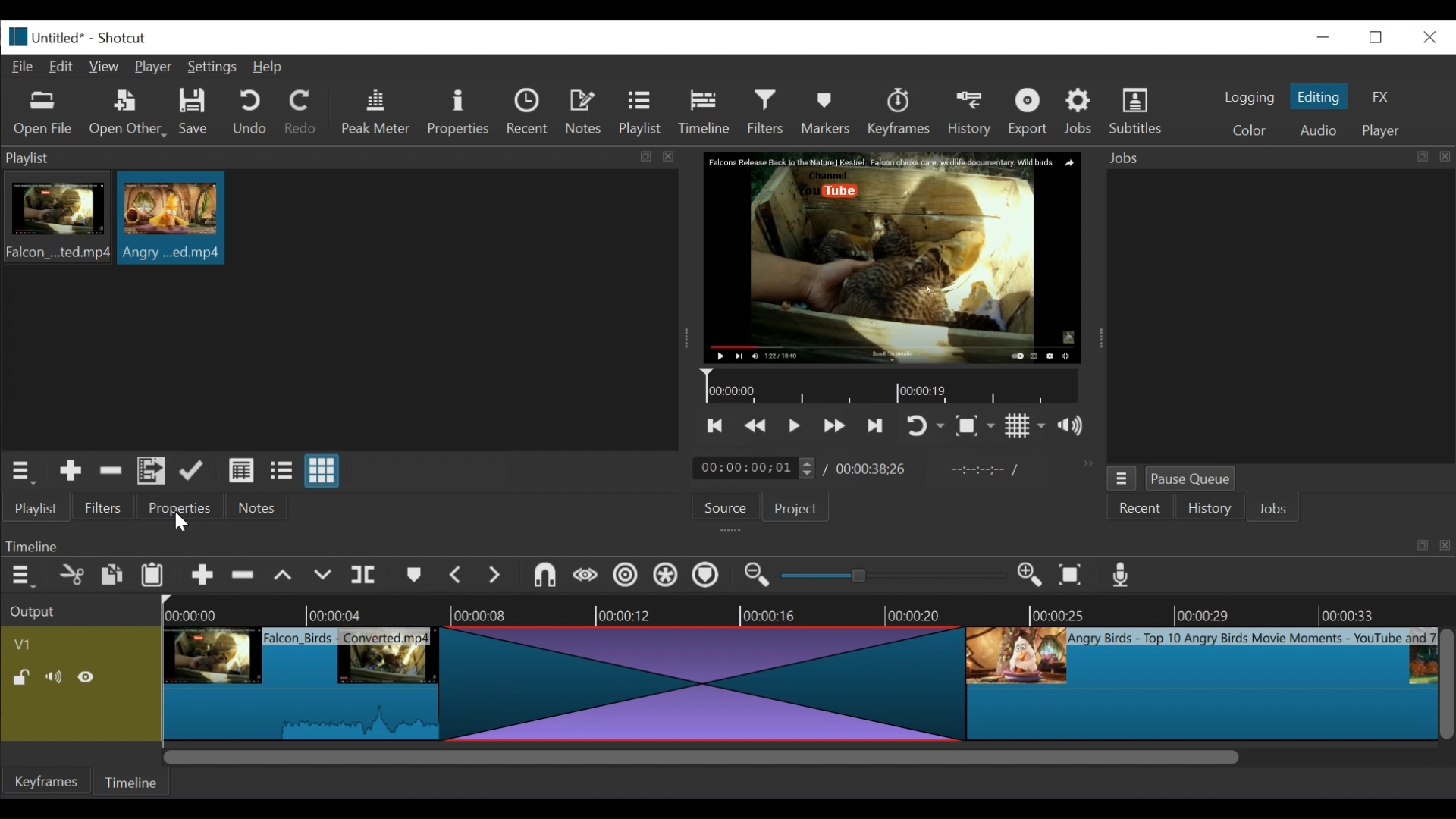 This screenshot has height=819, width=1456. I want to click on Markers, so click(829, 111).